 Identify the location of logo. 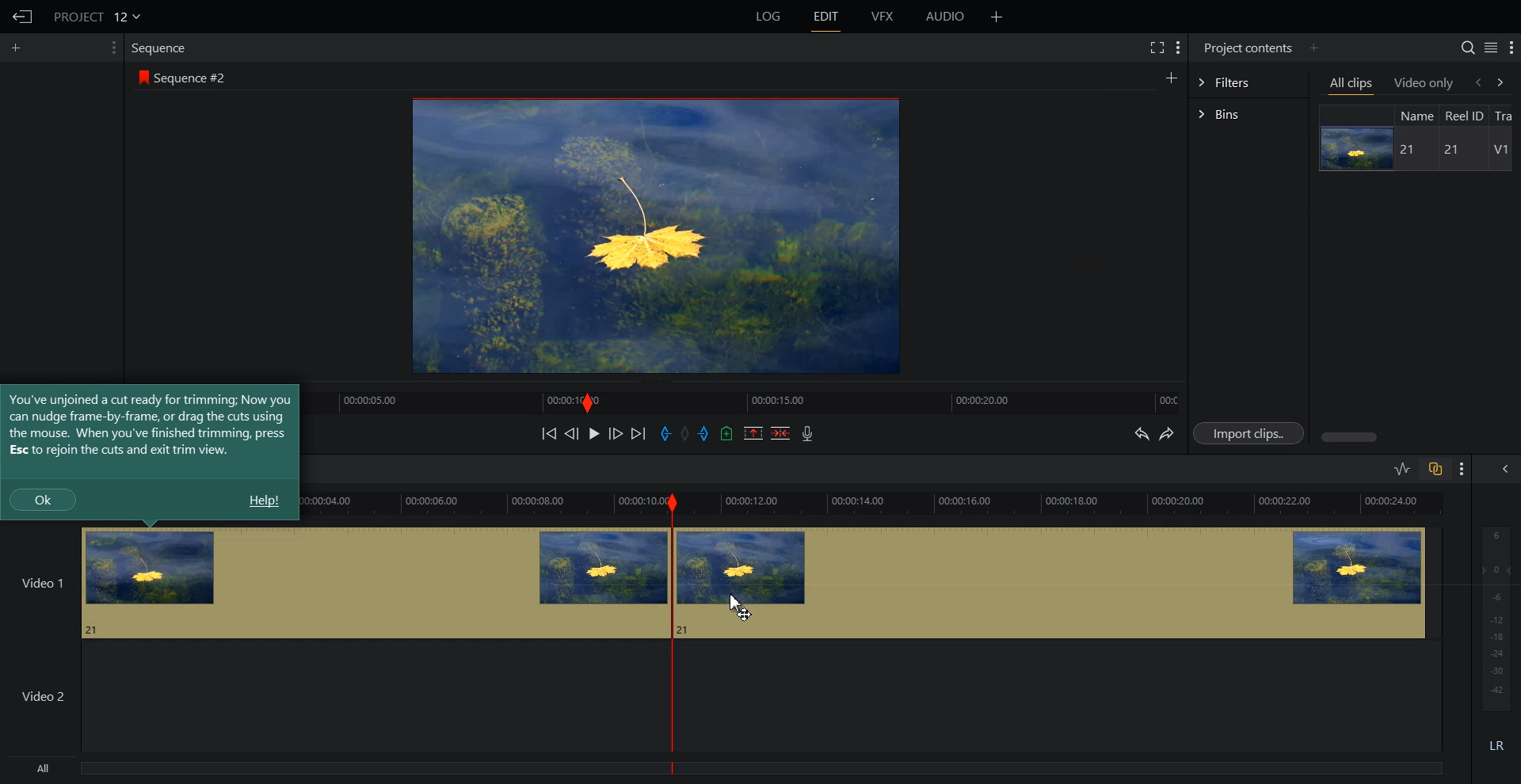
(141, 76).